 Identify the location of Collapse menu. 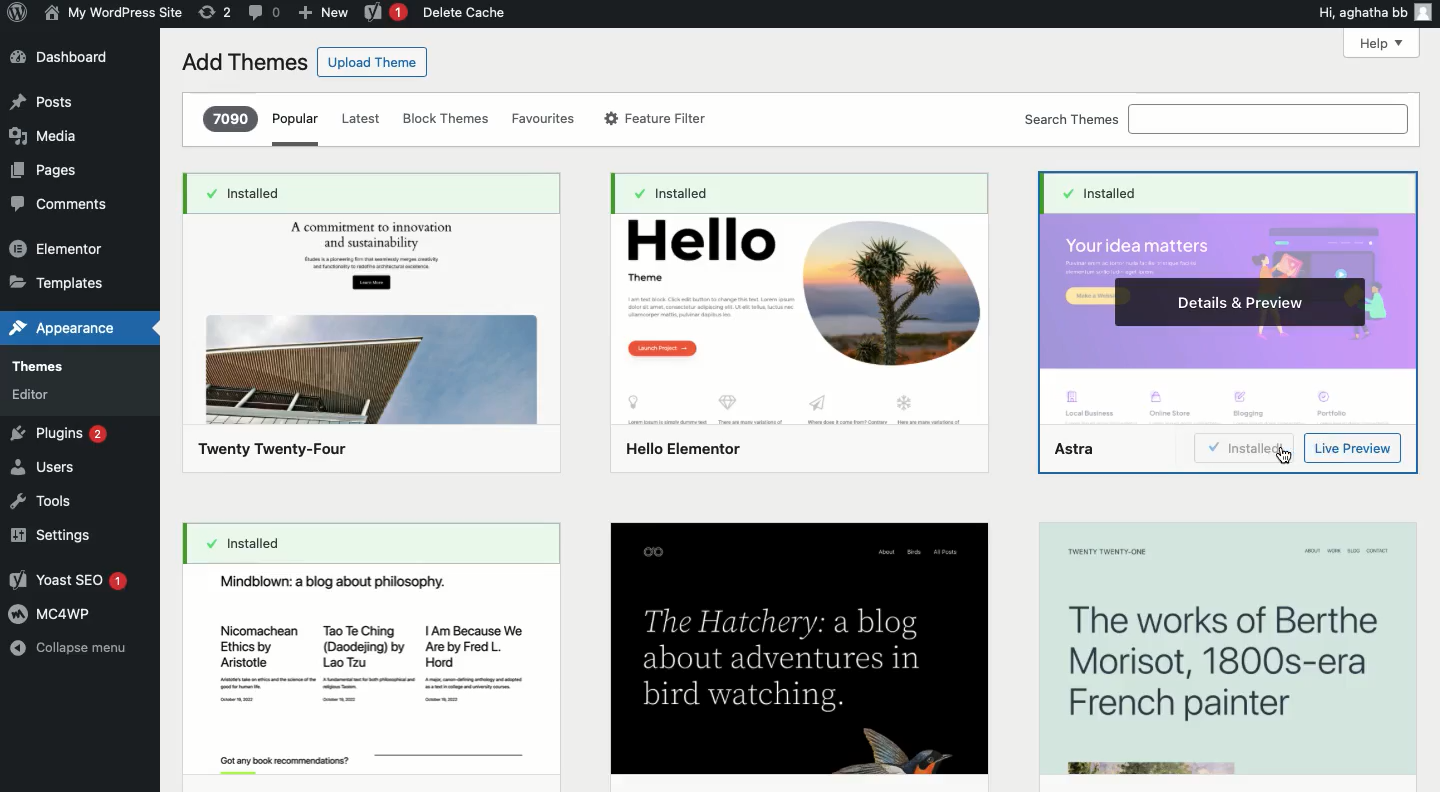
(71, 648).